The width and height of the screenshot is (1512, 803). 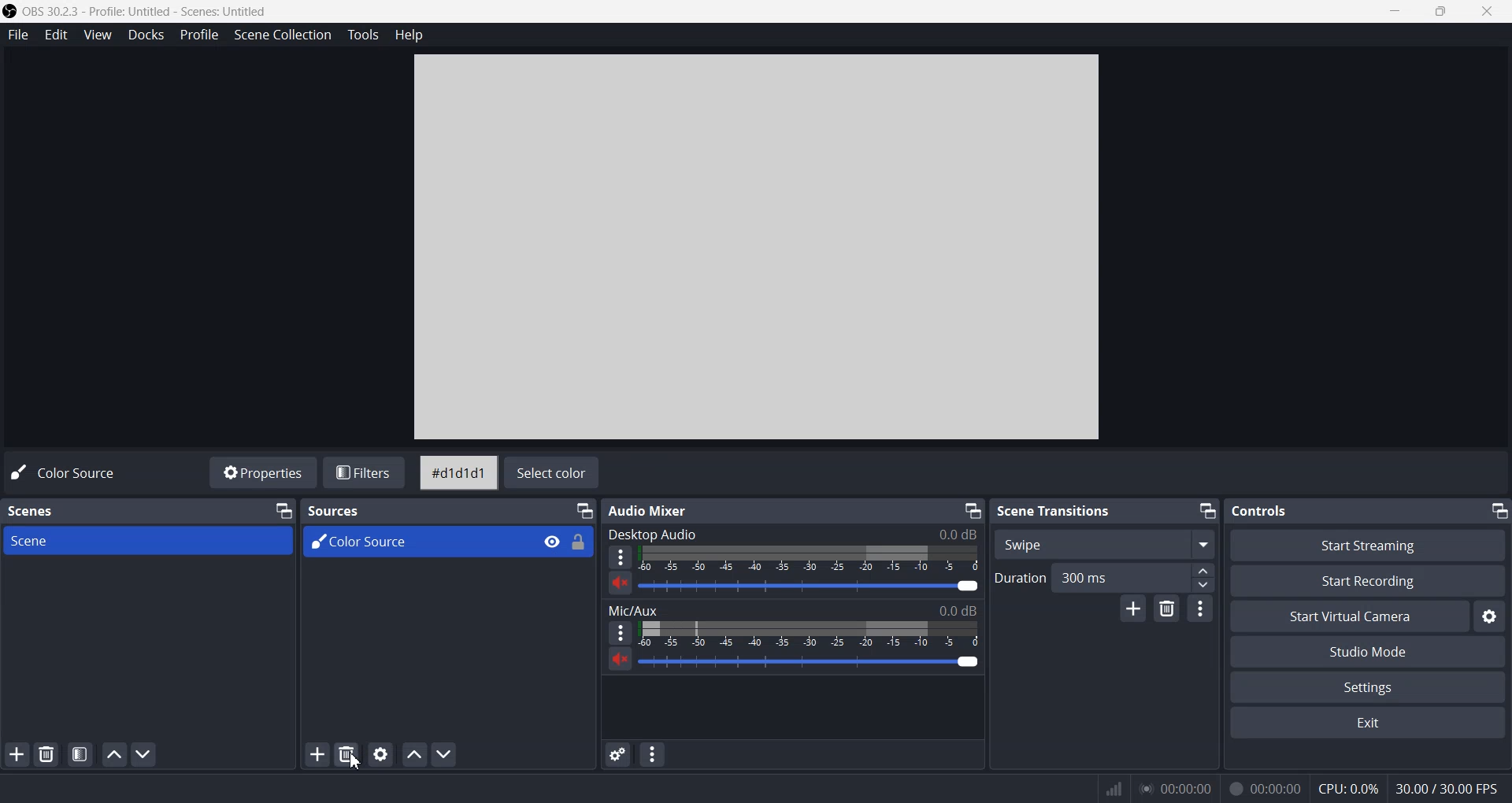 I want to click on Controls, so click(x=1261, y=511).